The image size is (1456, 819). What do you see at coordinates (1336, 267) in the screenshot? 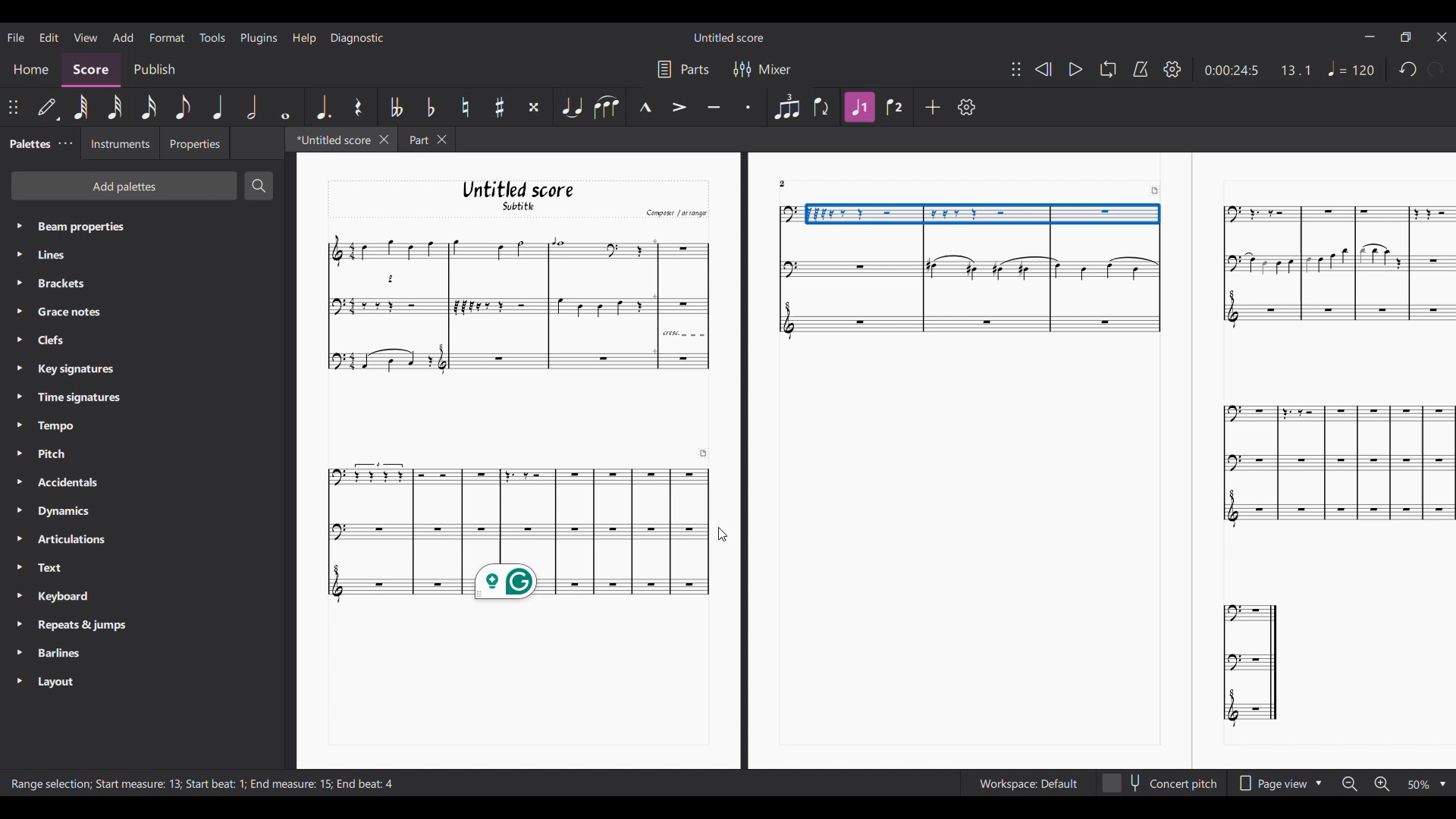
I see `Graph` at bounding box center [1336, 267].